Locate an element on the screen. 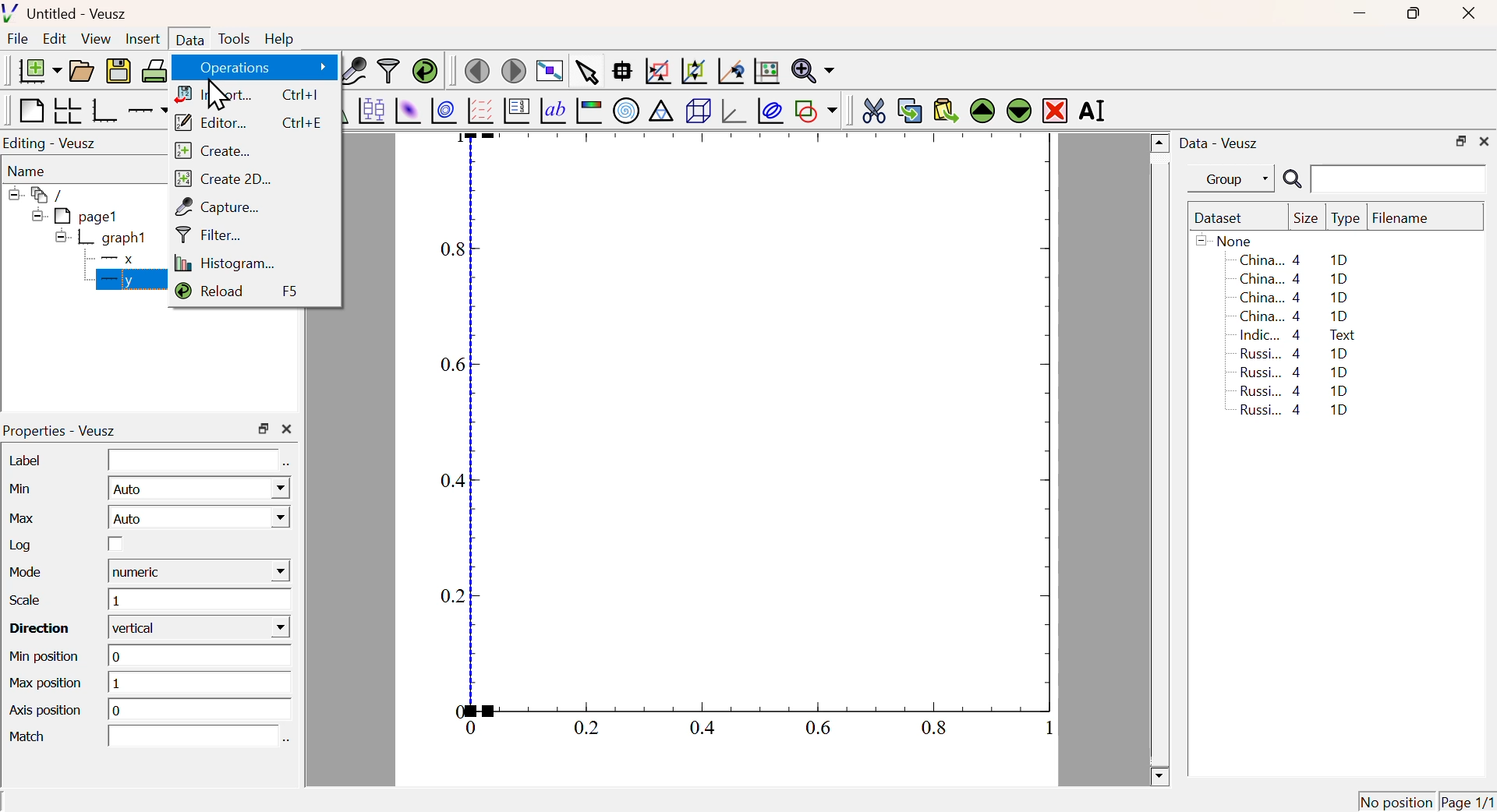 The height and width of the screenshot is (812, 1497). Import is located at coordinates (211, 94).